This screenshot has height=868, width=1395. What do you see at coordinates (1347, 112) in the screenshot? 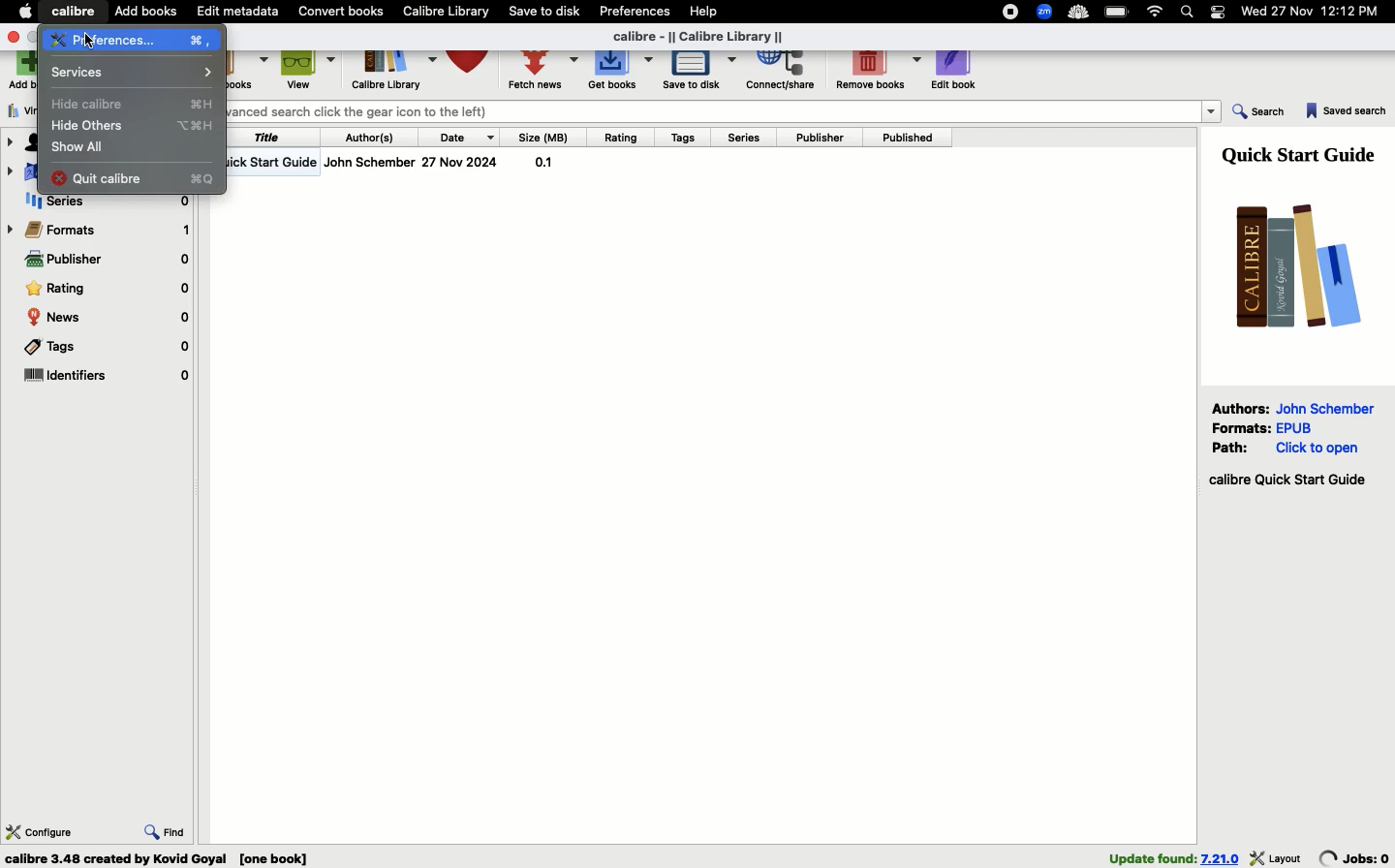
I see `Saved search` at bounding box center [1347, 112].